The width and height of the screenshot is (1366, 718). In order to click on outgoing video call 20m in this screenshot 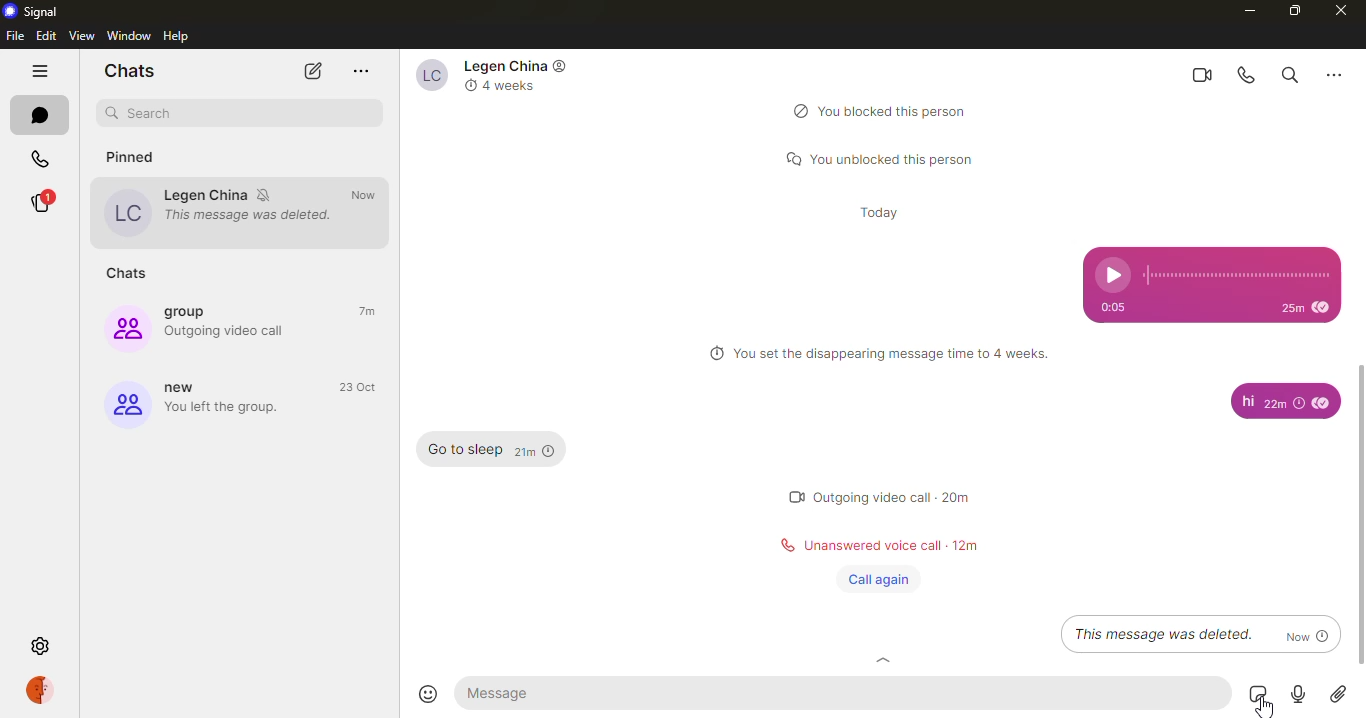, I will do `click(895, 494)`.